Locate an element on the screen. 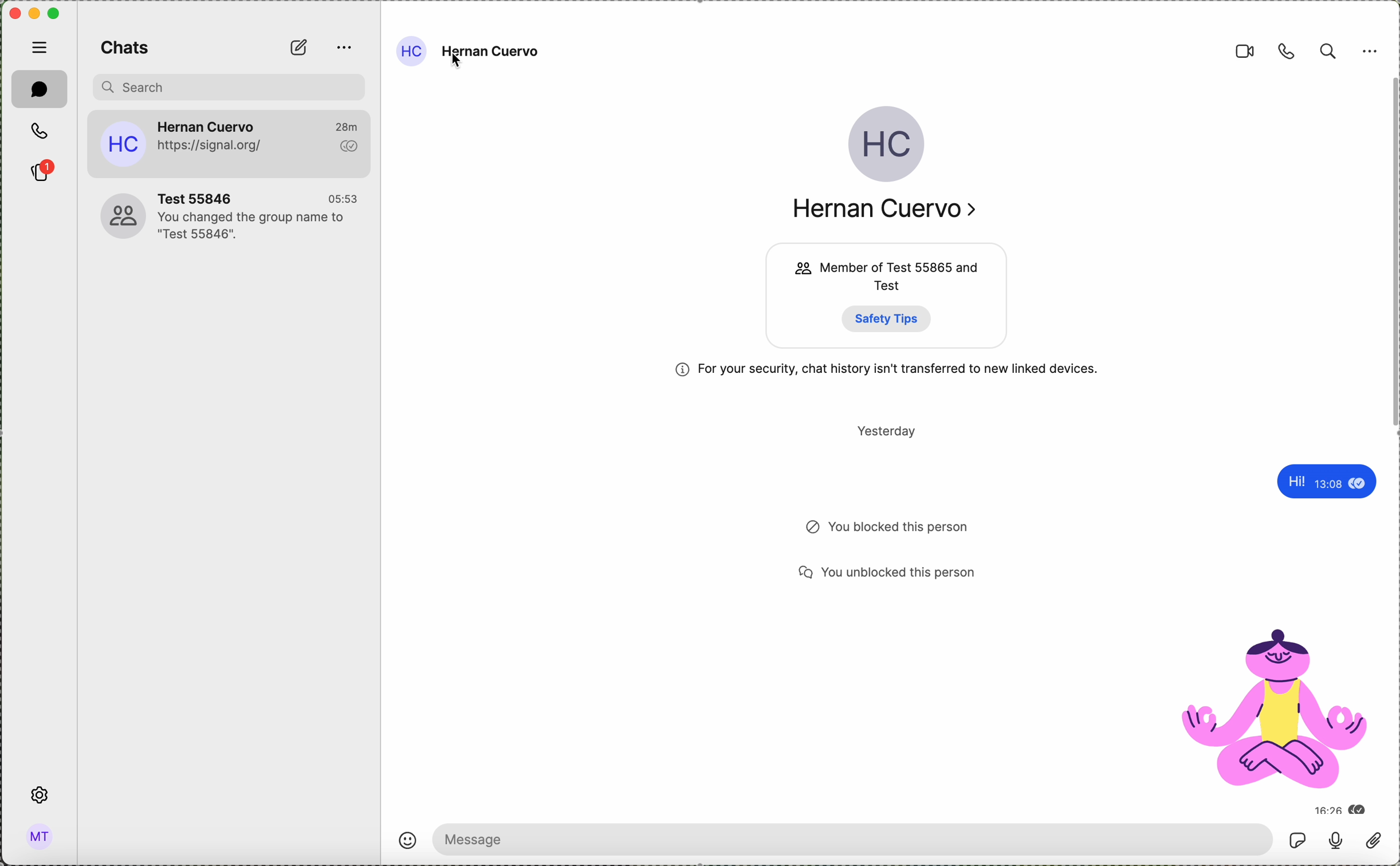 The height and width of the screenshot is (866, 1400). screen buttons is located at coordinates (32, 13).